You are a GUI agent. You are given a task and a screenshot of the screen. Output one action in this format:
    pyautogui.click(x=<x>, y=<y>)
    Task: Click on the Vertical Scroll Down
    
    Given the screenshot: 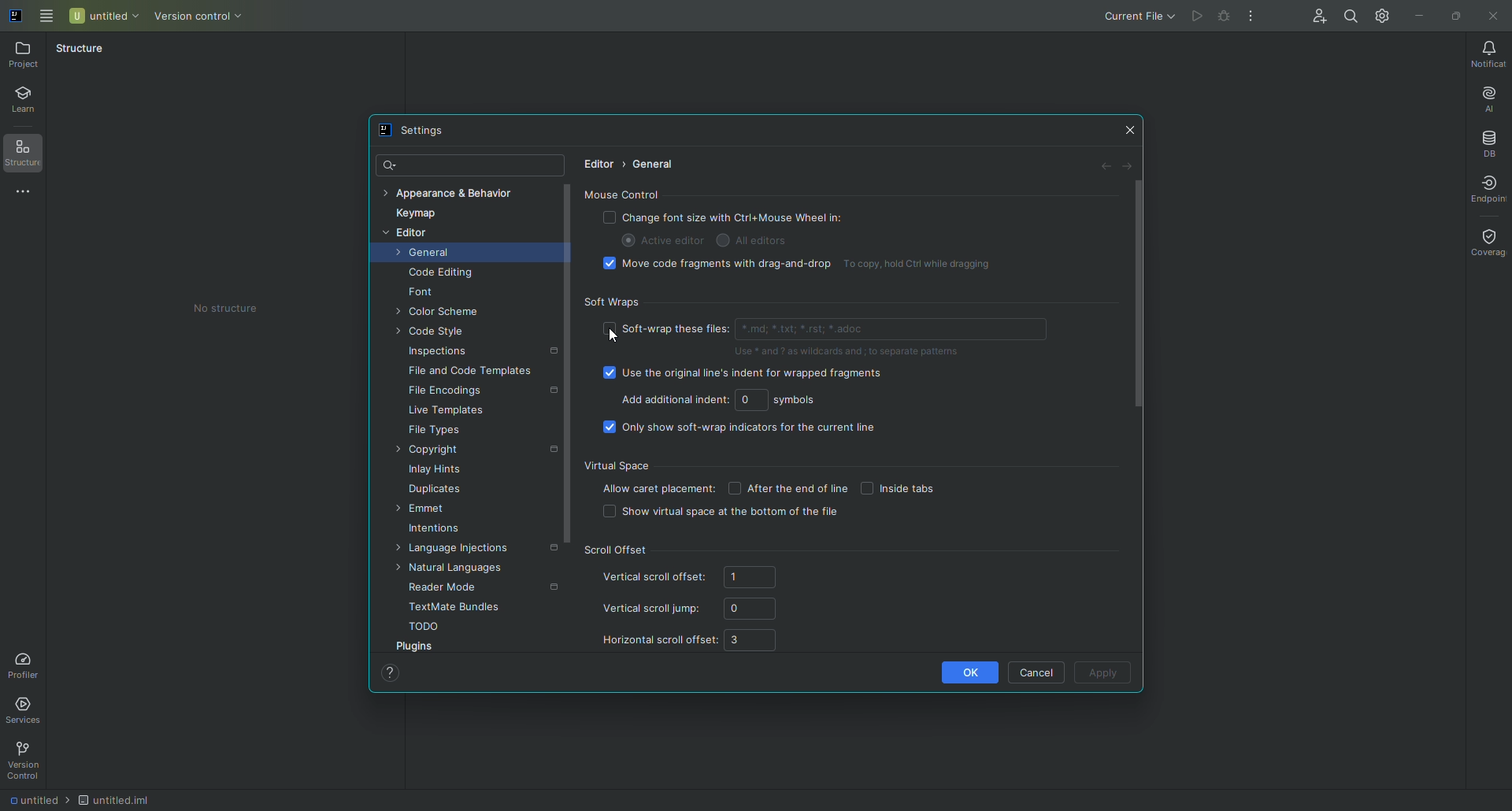 What is the action you would take?
    pyautogui.click(x=1139, y=296)
    